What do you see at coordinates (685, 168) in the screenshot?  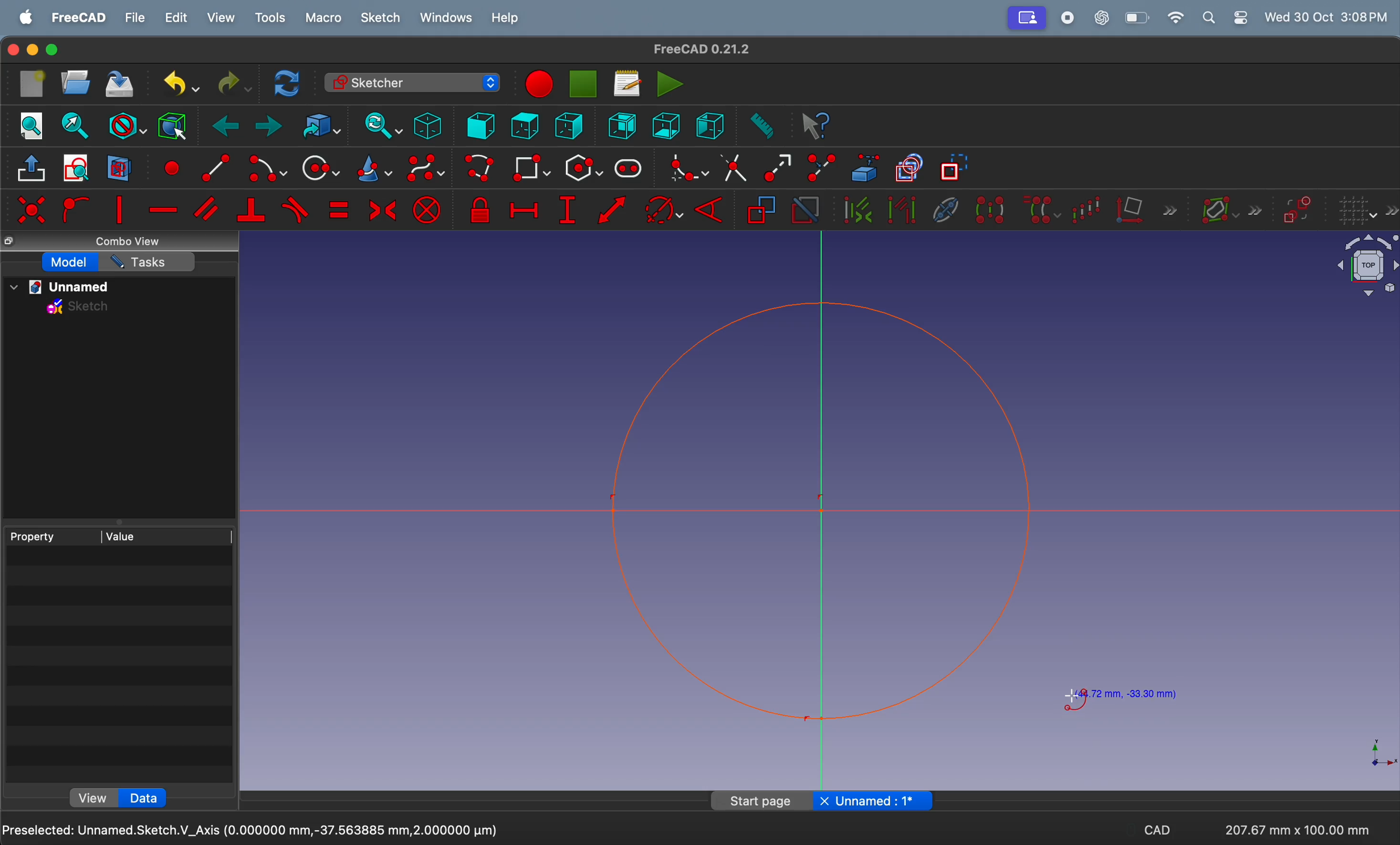 I see `create fillet` at bounding box center [685, 168].